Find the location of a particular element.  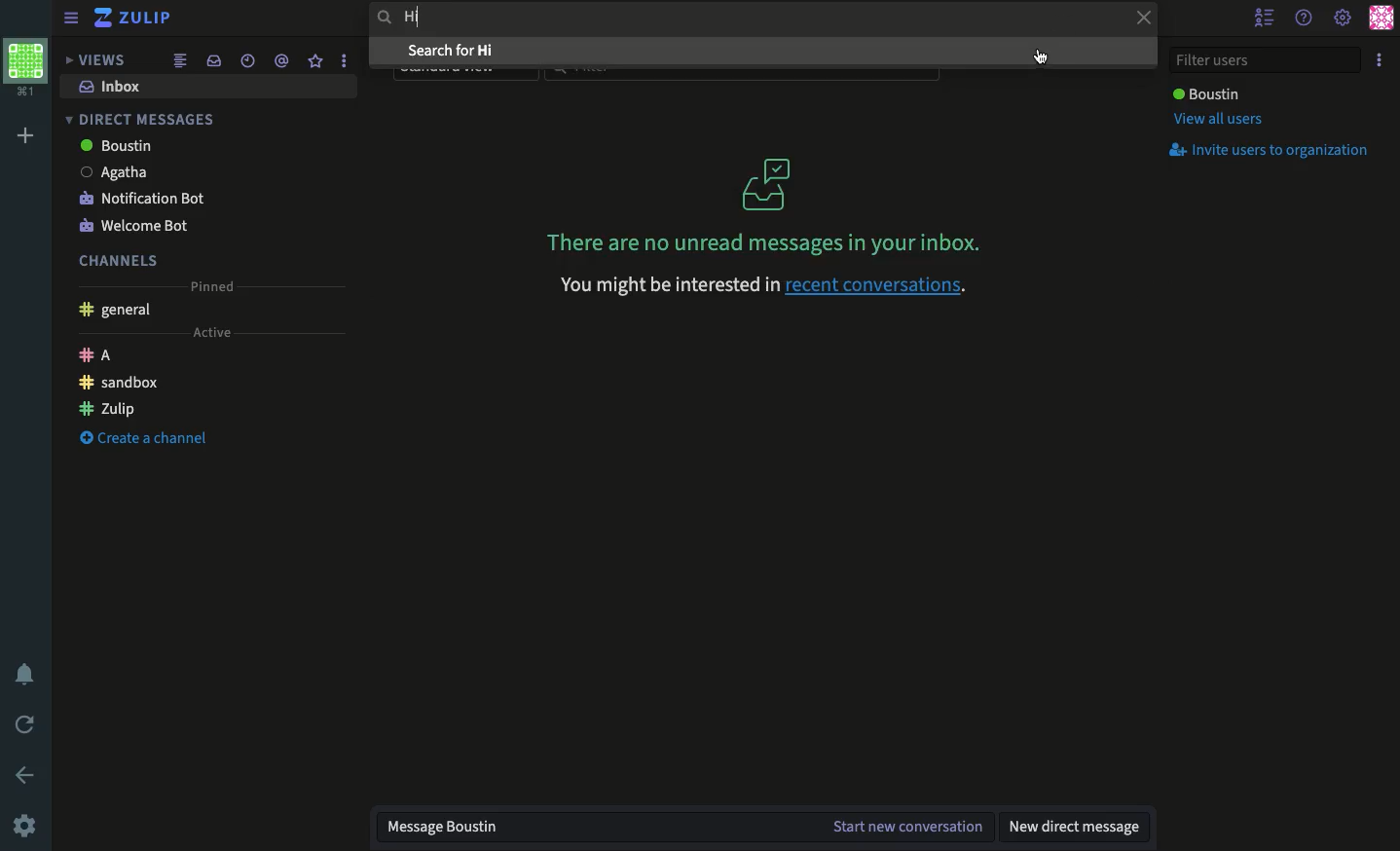

icon is located at coordinates (767, 183).